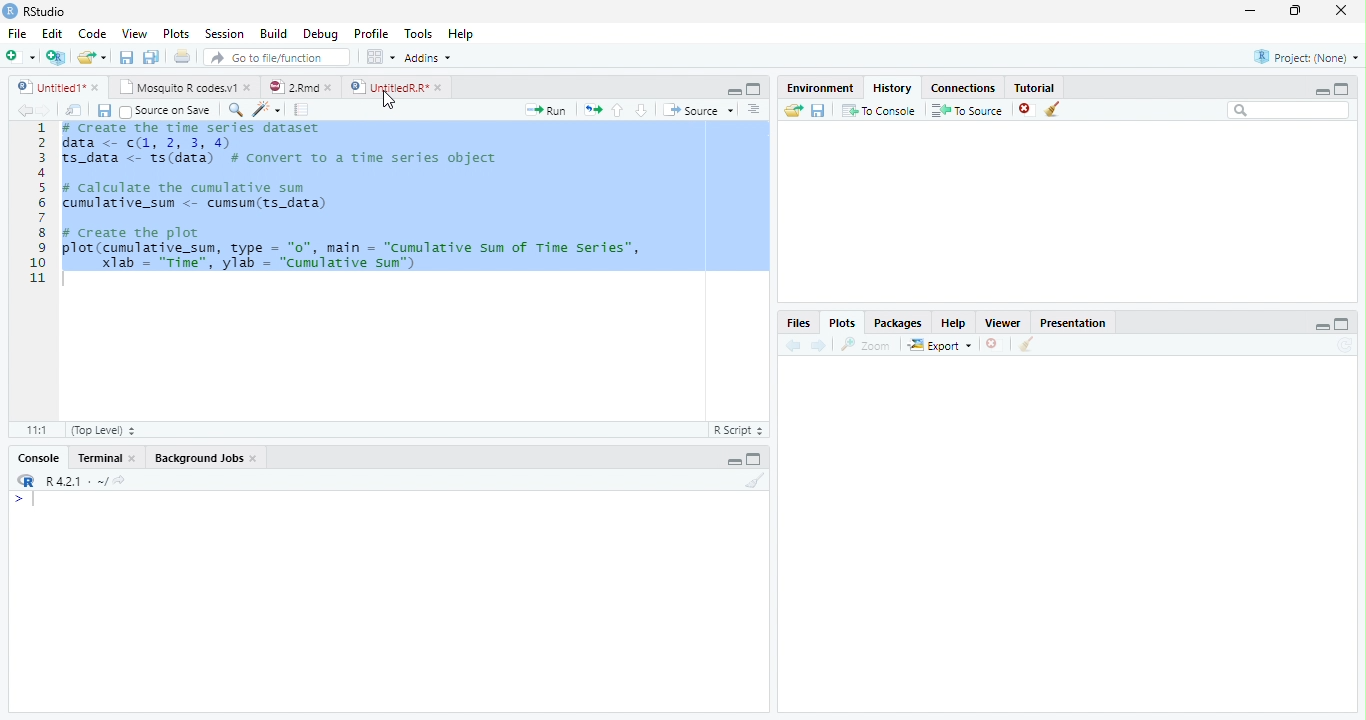  What do you see at coordinates (271, 35) in the screenshot?
I see `Build` at bounding box center [271, 35].